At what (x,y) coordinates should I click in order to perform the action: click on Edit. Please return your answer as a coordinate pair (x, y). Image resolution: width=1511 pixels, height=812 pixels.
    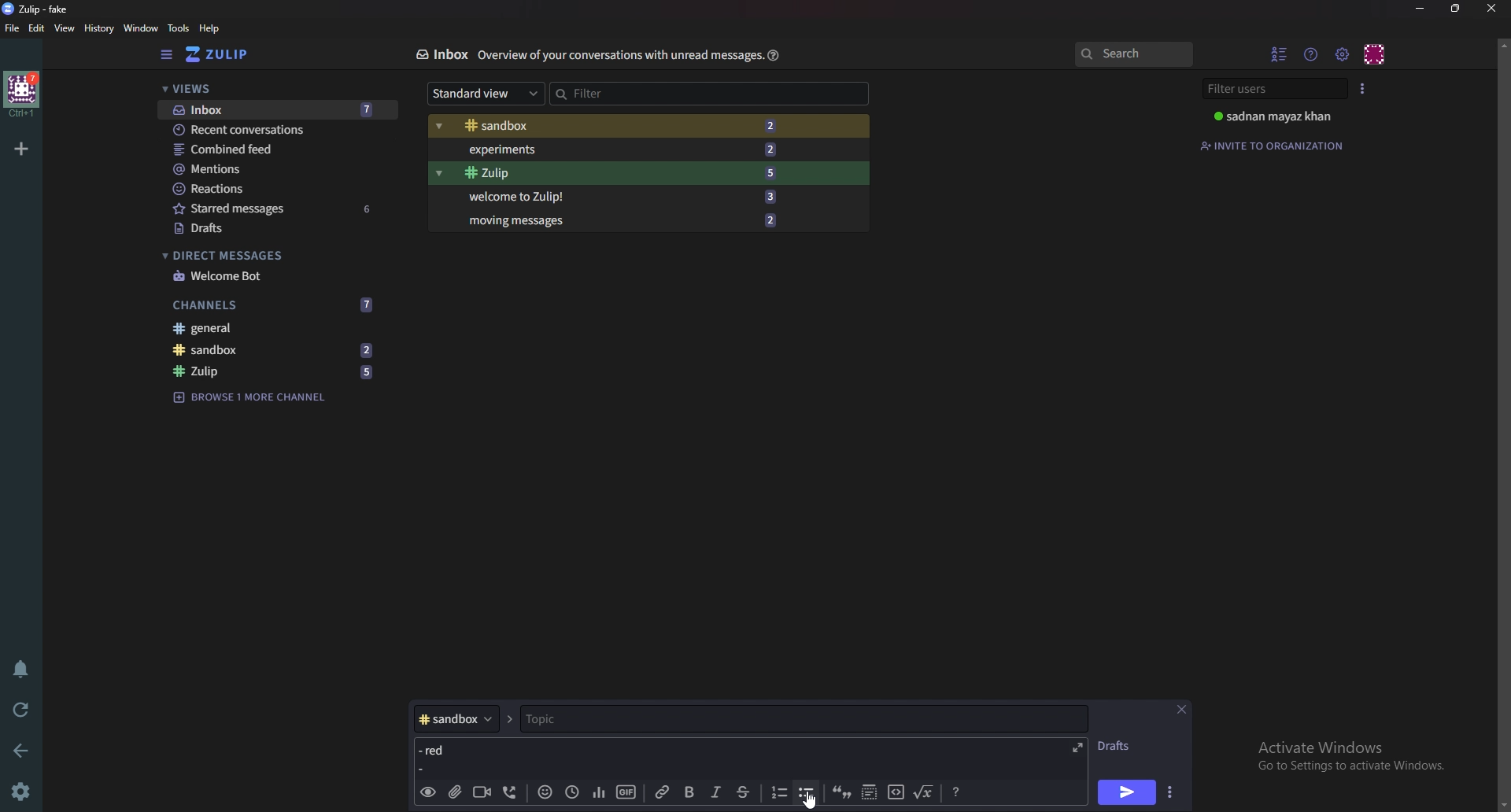
    Looking at the image, I should click on (37, 28).